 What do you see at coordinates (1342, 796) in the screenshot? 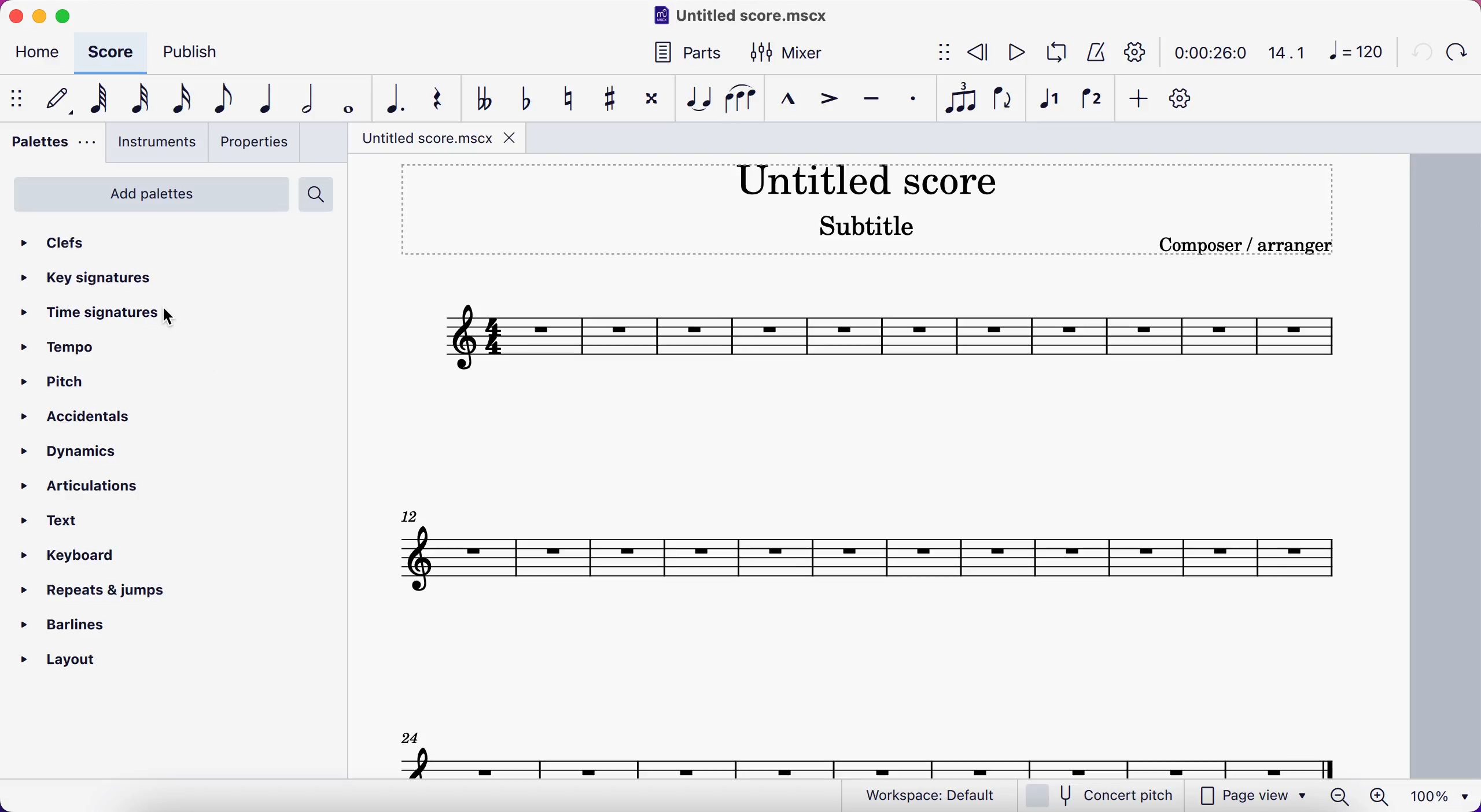
I see `zoom out` at bounding box center [1342, 796].